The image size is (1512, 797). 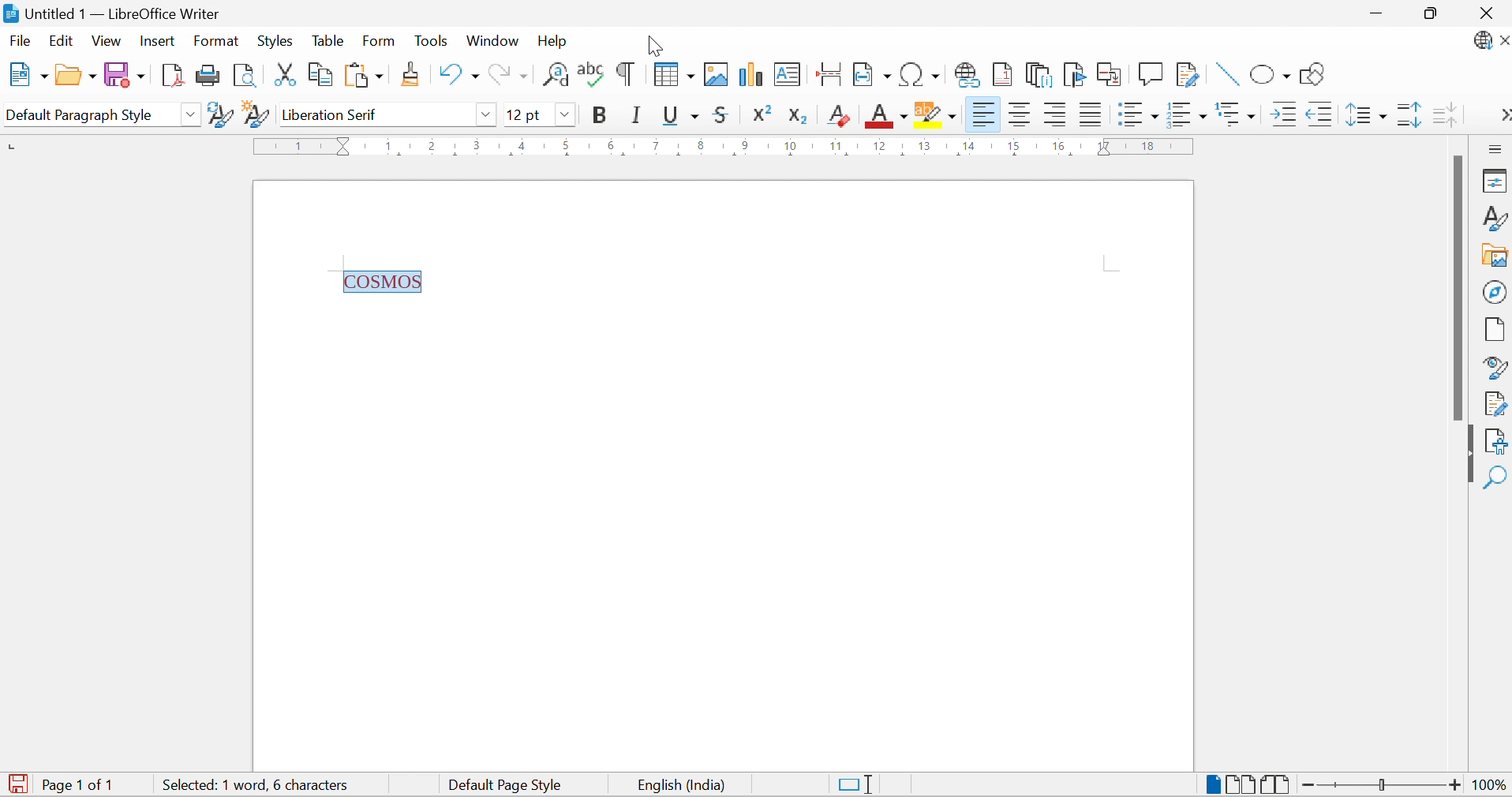 What do you see at coordinates (1458, 287) in the screenshot?
I see `Scroll Bar` at bounding box center [1458, 287].